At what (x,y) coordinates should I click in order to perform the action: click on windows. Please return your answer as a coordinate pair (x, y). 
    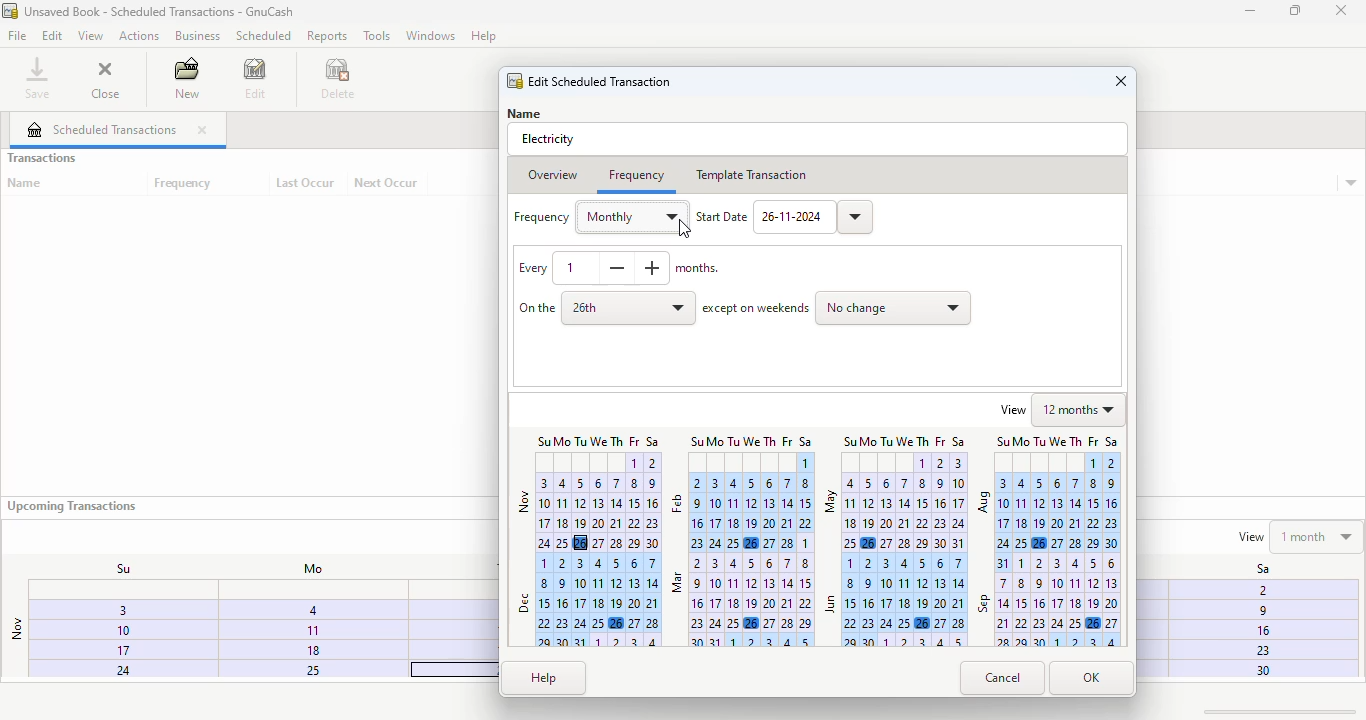
    Looking at the image, I should click on (430, 35).